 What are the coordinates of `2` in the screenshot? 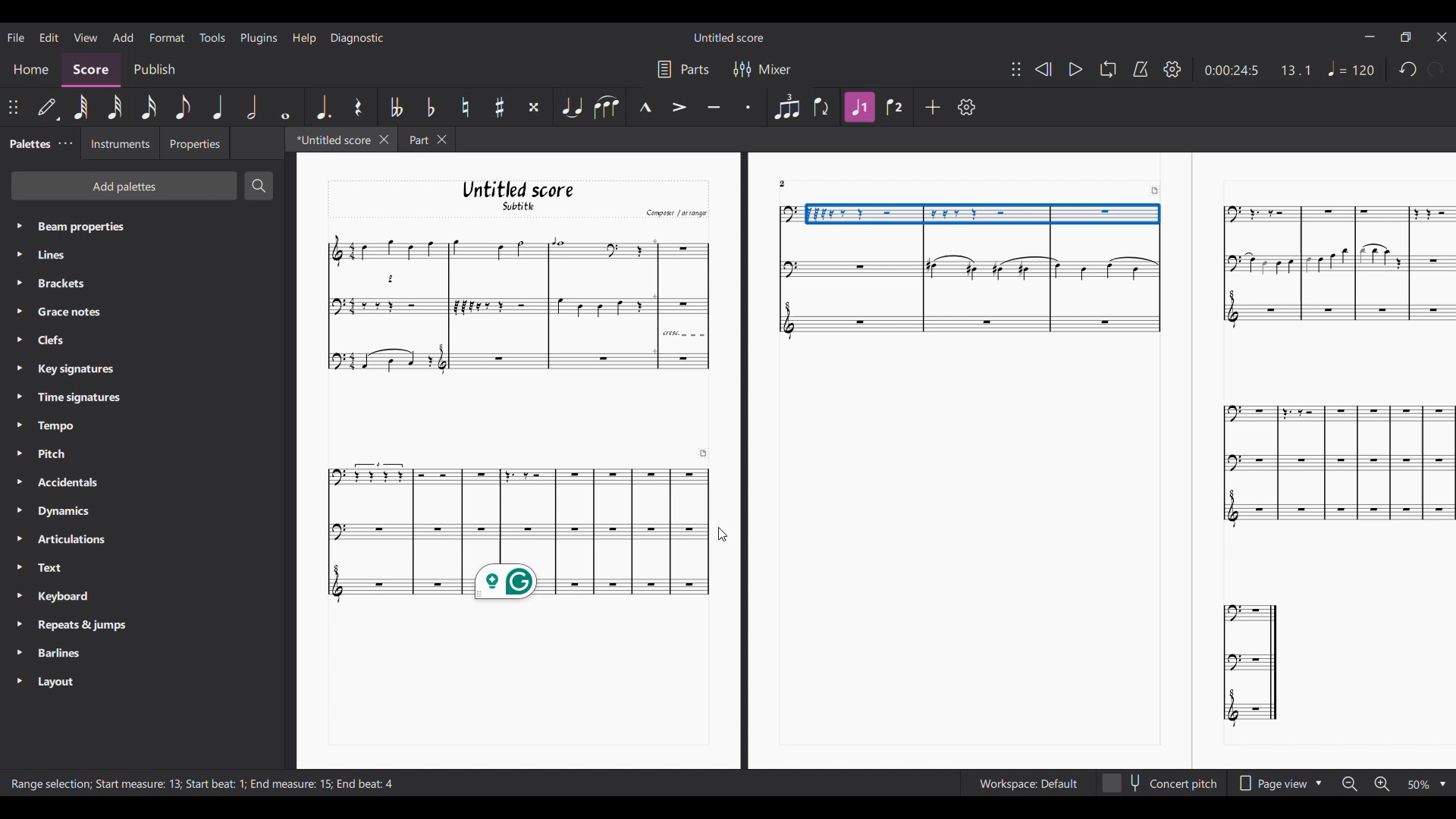 It's located at (783, 183).